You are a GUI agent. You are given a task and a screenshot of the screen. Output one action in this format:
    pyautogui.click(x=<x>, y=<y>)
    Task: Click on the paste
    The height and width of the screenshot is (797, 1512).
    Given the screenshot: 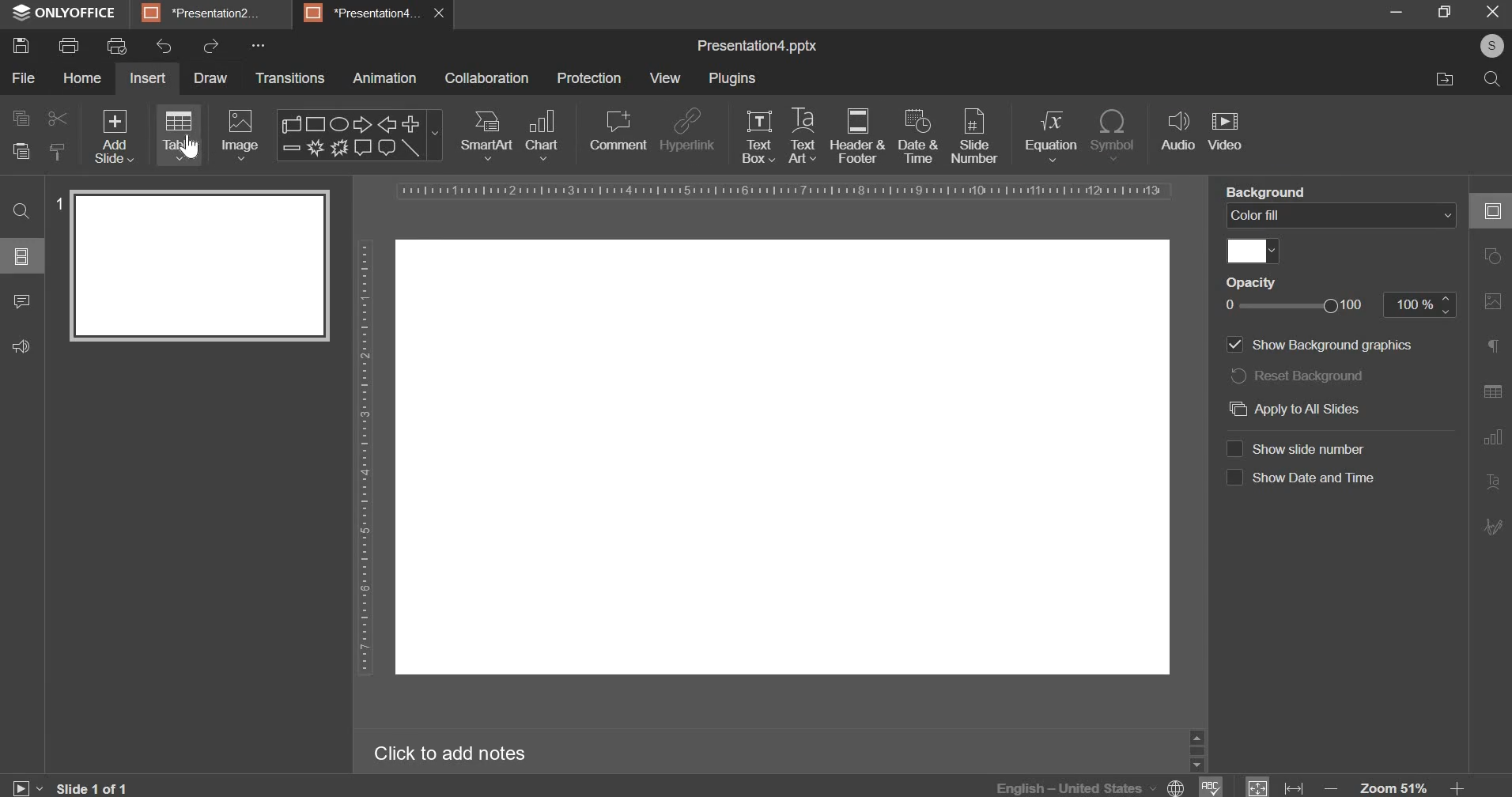 What is the action you would take?
    pyautogui.click(x=21, y=150)
    